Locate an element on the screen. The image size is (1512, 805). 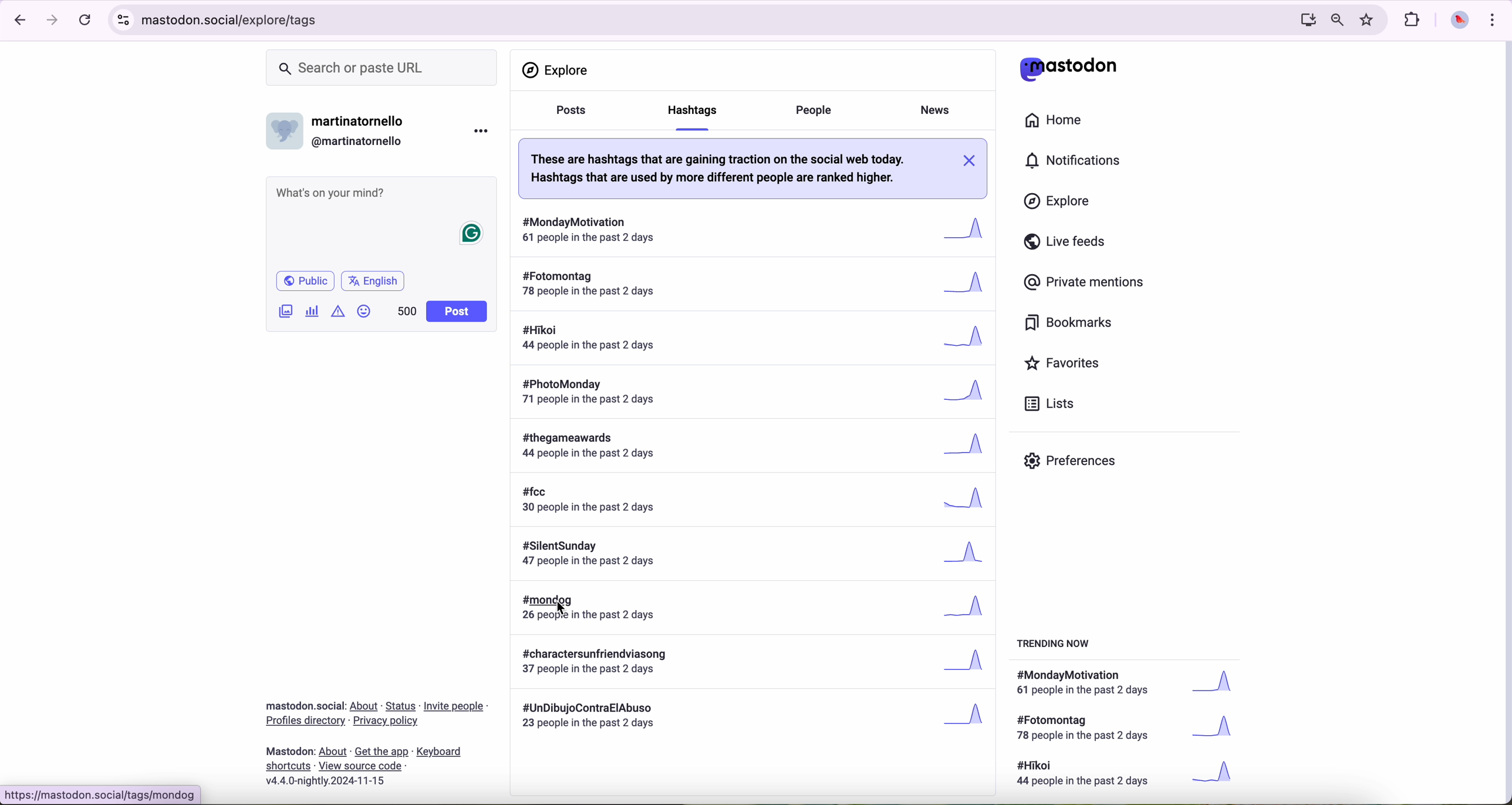
favorites is located at coordinates (1064, 363).